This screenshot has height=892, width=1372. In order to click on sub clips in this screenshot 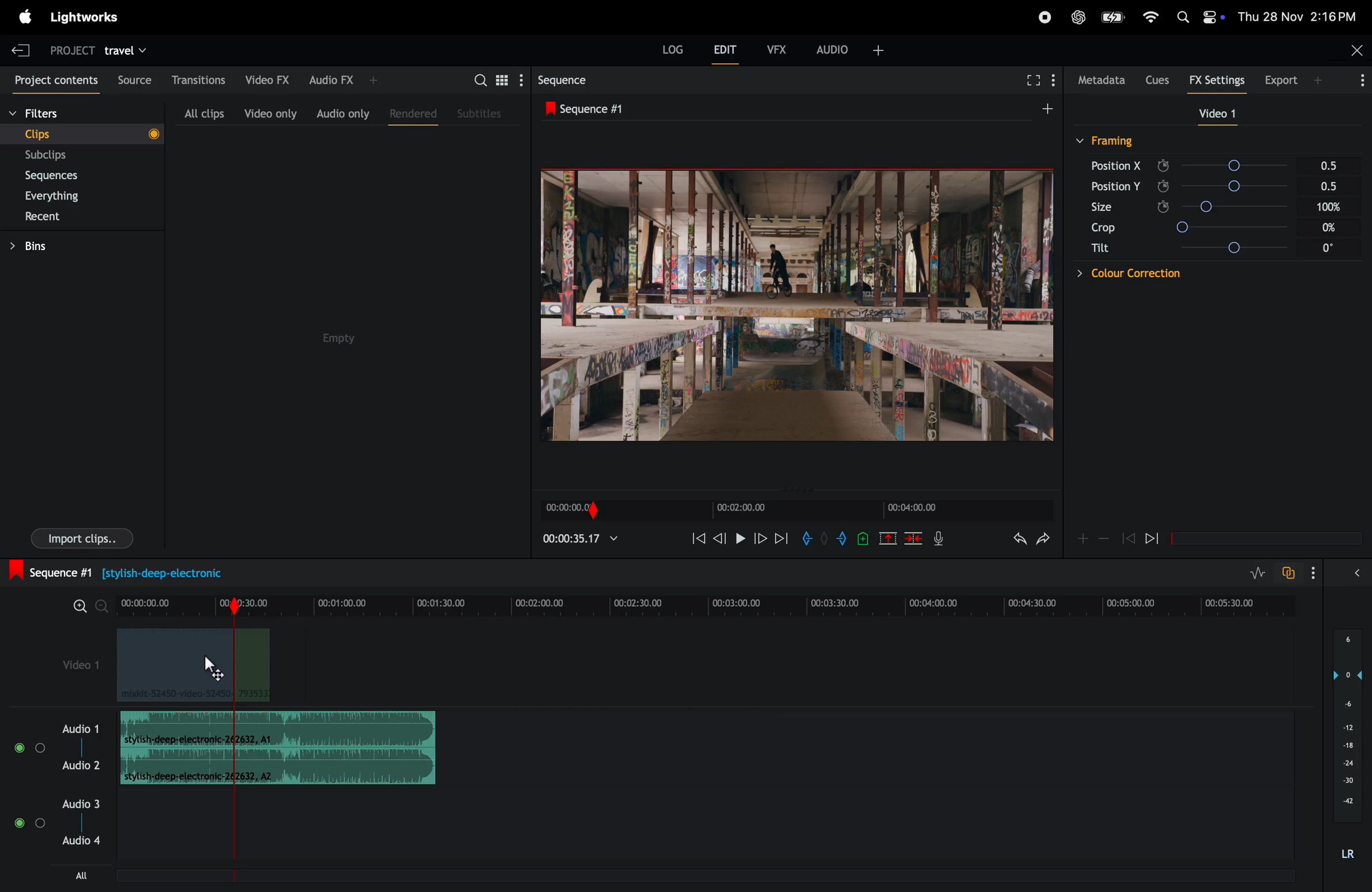, I will do `click(62, 156)`.